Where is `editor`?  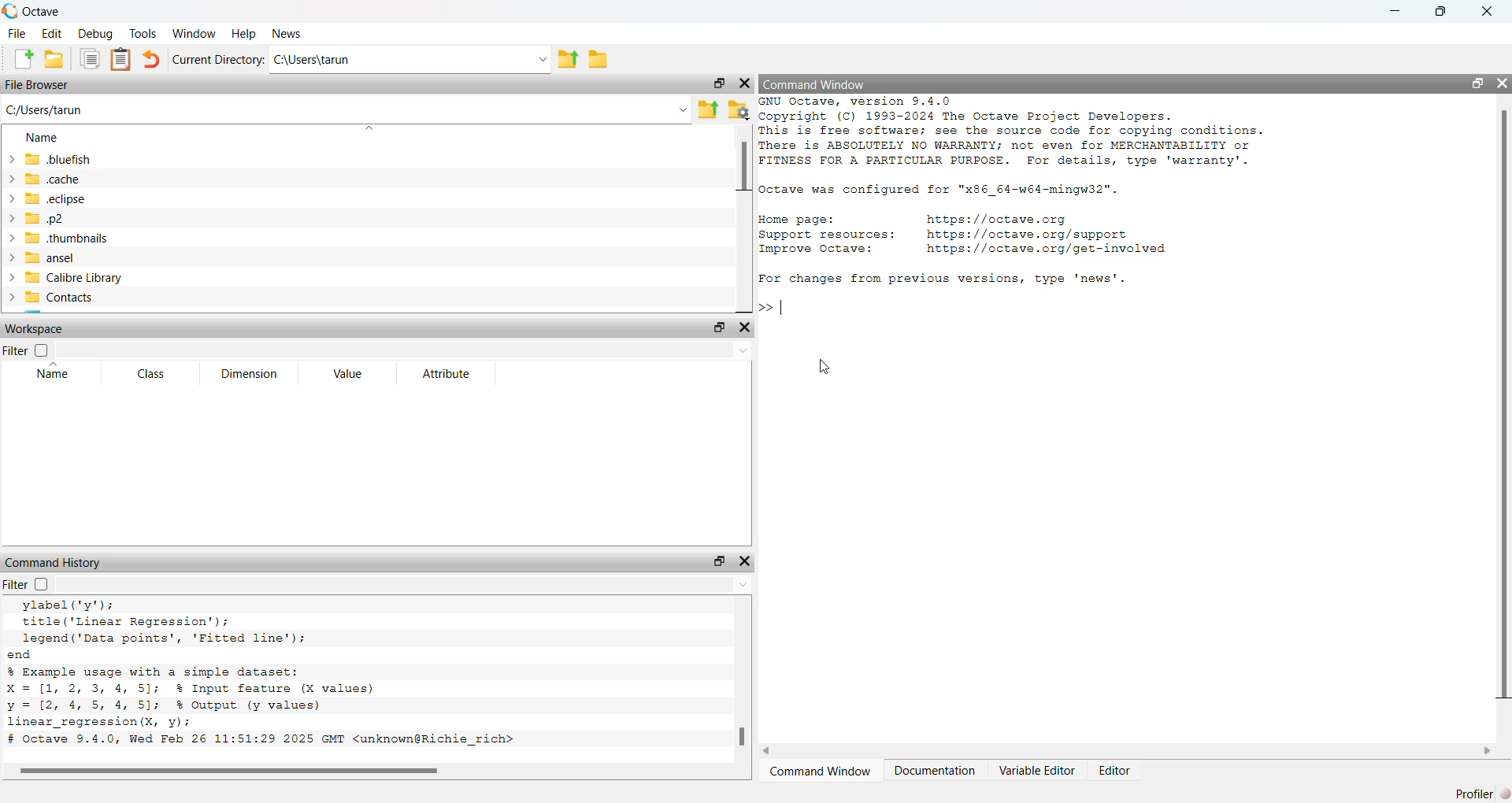
editor is located at coordinates (1118, 770).